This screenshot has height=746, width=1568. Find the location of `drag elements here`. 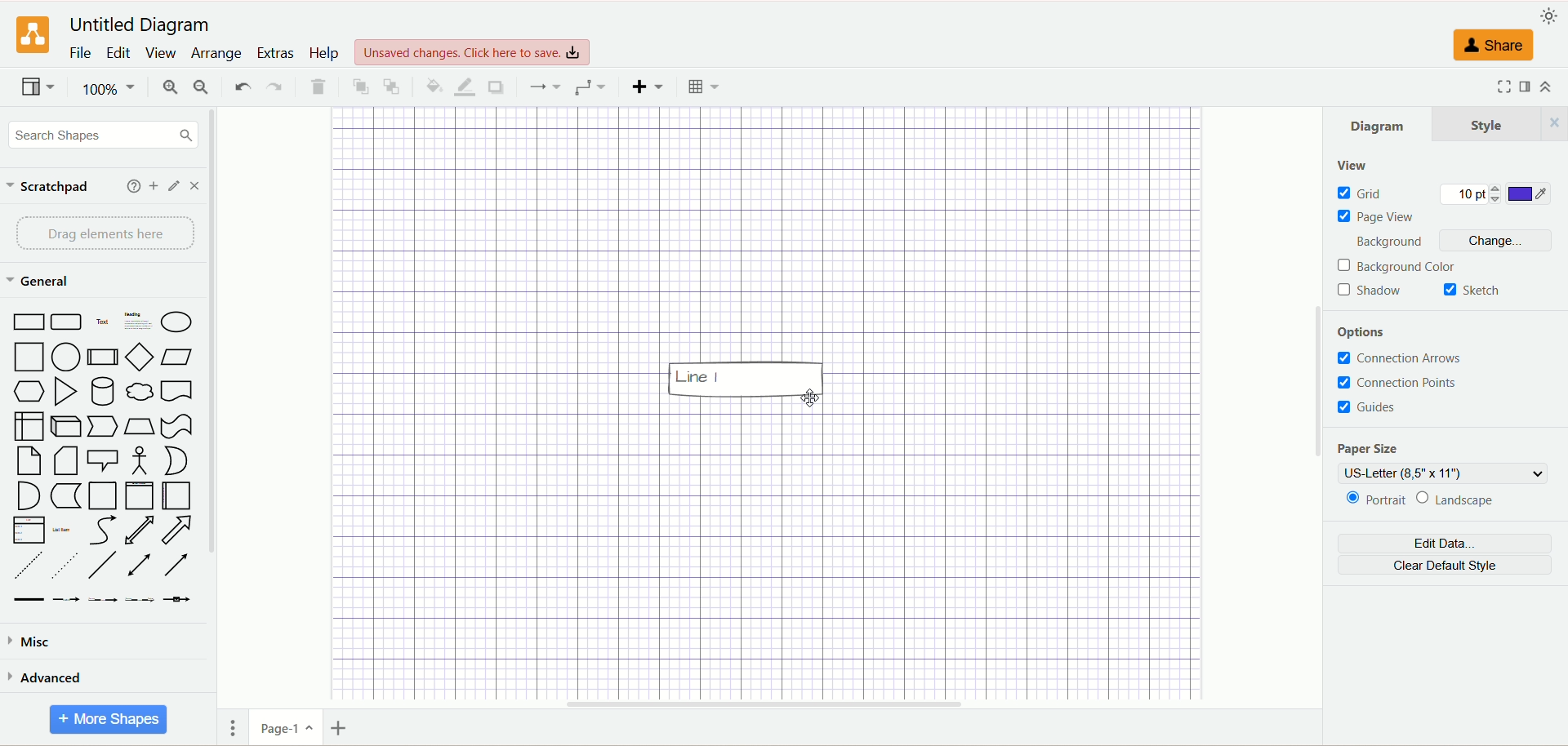

drag elements here is located at coordinates (100, 233).